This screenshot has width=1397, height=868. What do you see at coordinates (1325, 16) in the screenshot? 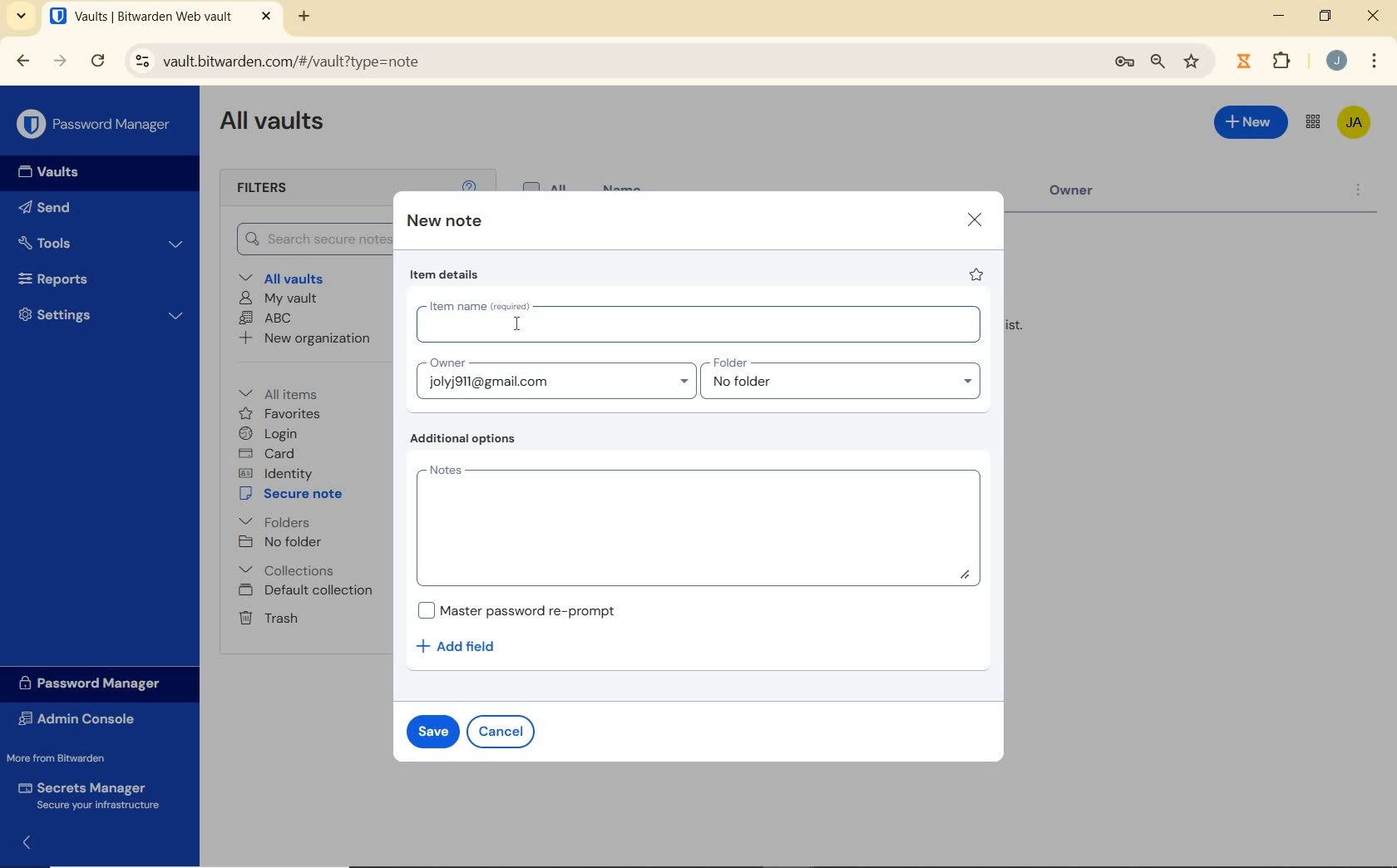
I see `restore` at bounding box center [1325, 16].